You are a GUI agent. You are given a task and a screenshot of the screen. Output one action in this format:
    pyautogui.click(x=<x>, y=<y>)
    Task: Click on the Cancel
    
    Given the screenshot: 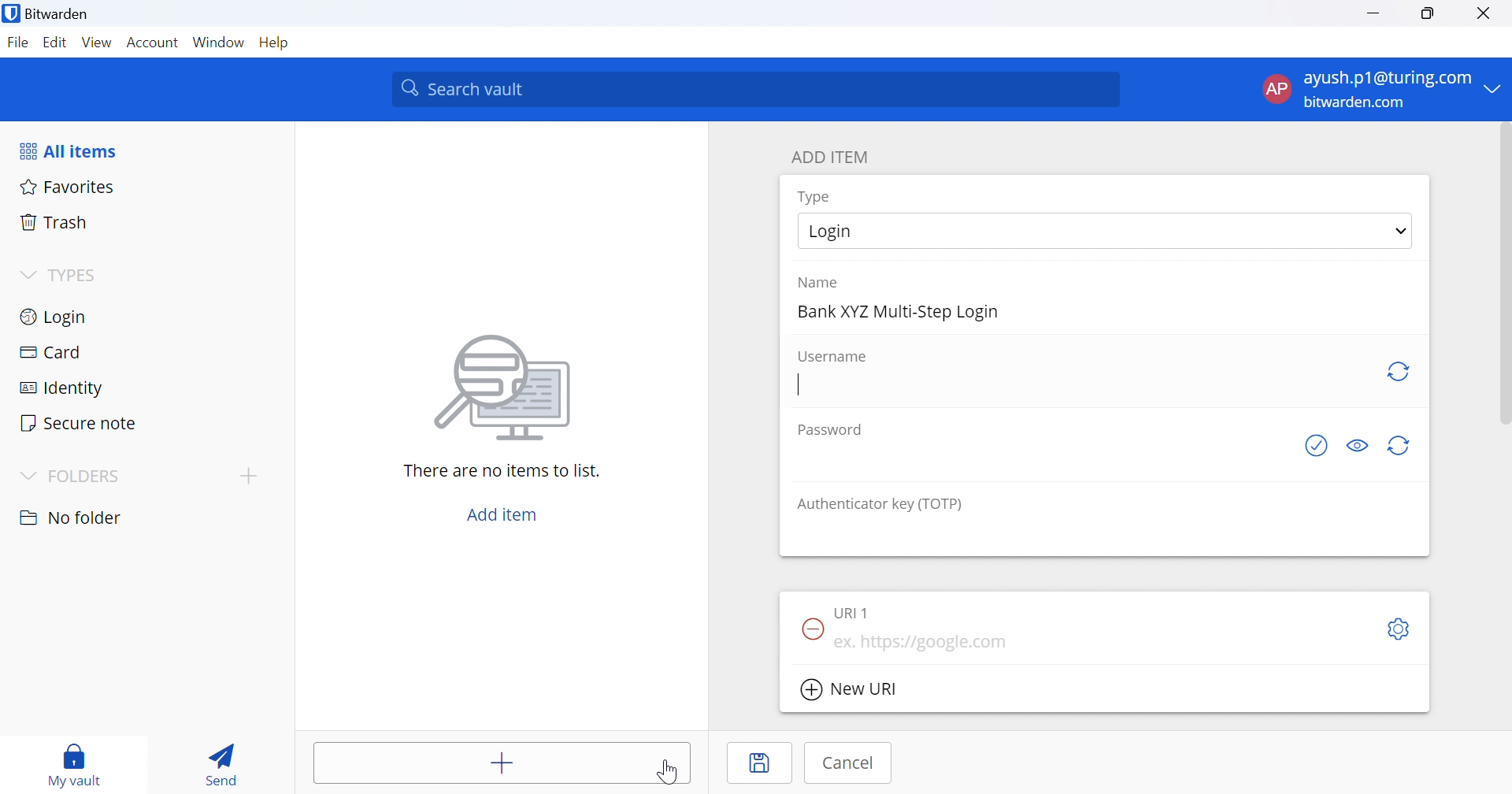 What is the action you would take?
    pyautogui.click(x=847, y=763)
    